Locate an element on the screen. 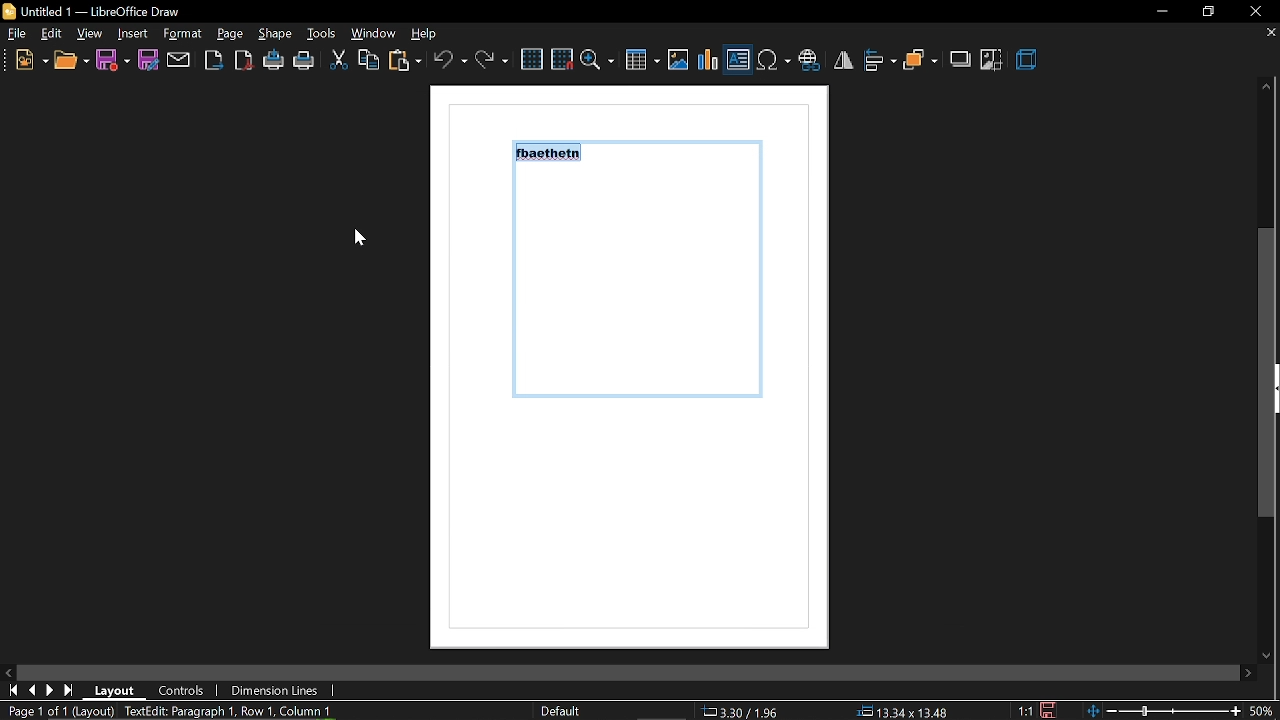 This screenshot has width=1280, height=720. view is located at coordinates (90, 33).